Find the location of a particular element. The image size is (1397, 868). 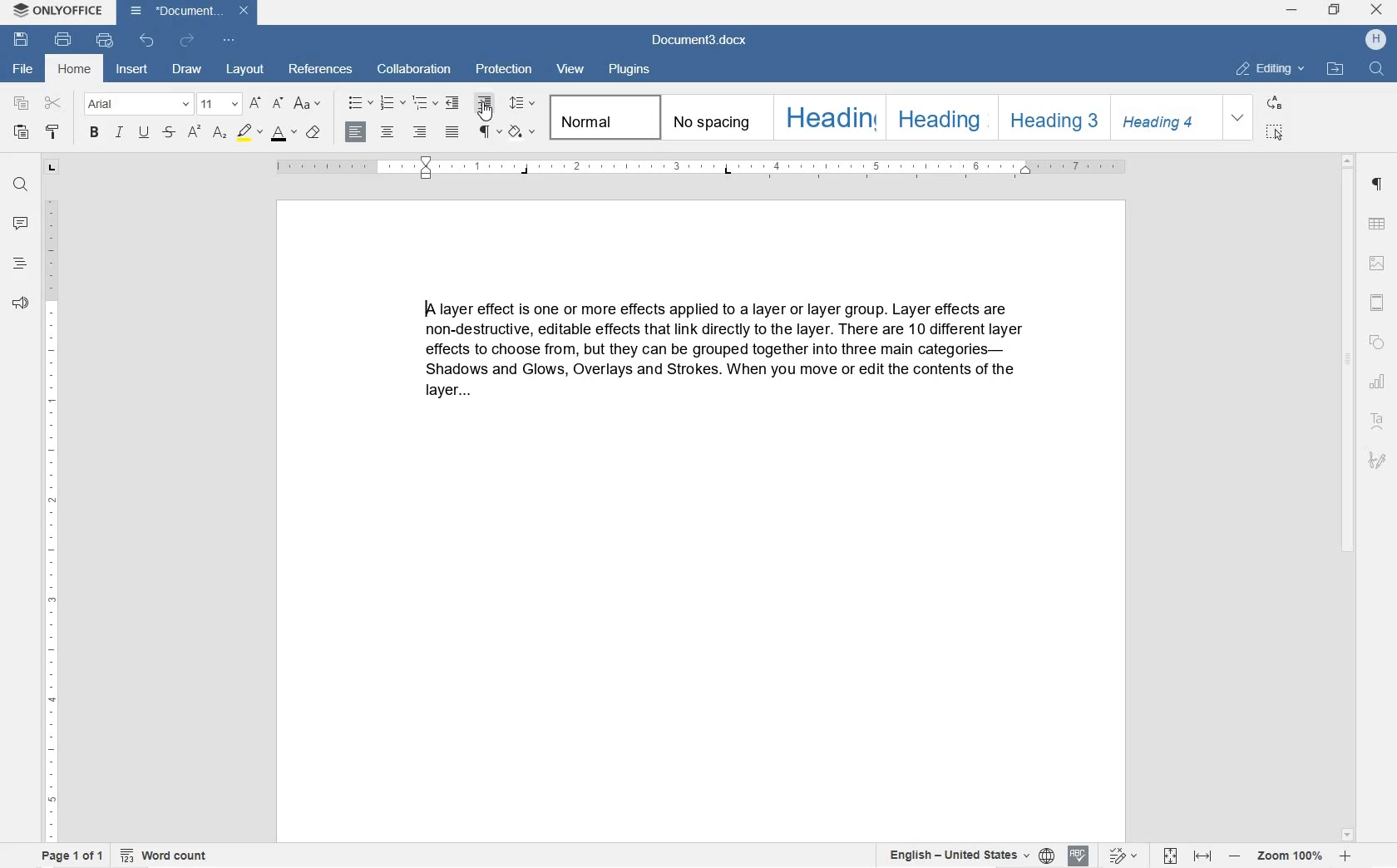

DECREASE INDENT is located at coordinates (452, 104).